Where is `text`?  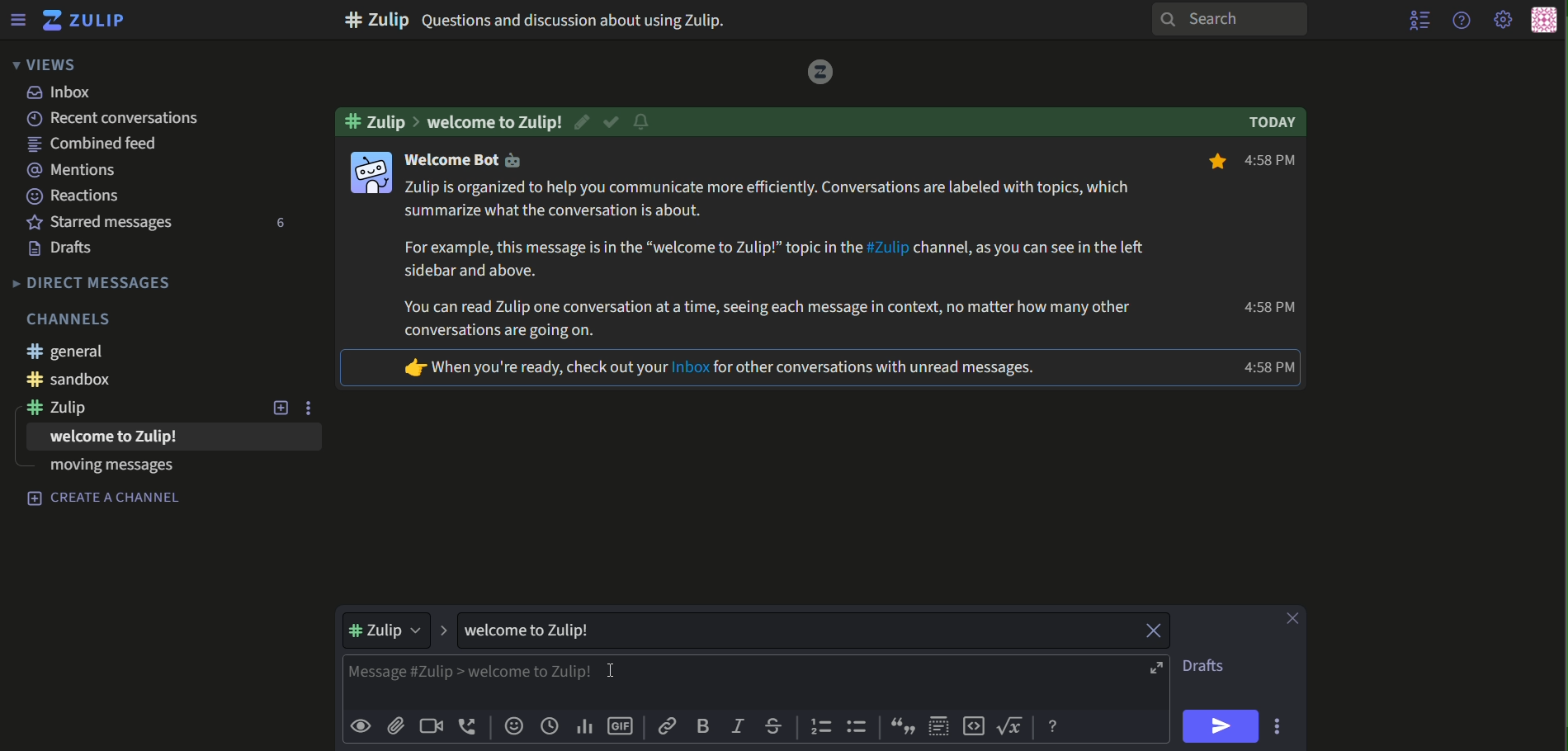 text is located at coordinates (75, 318).